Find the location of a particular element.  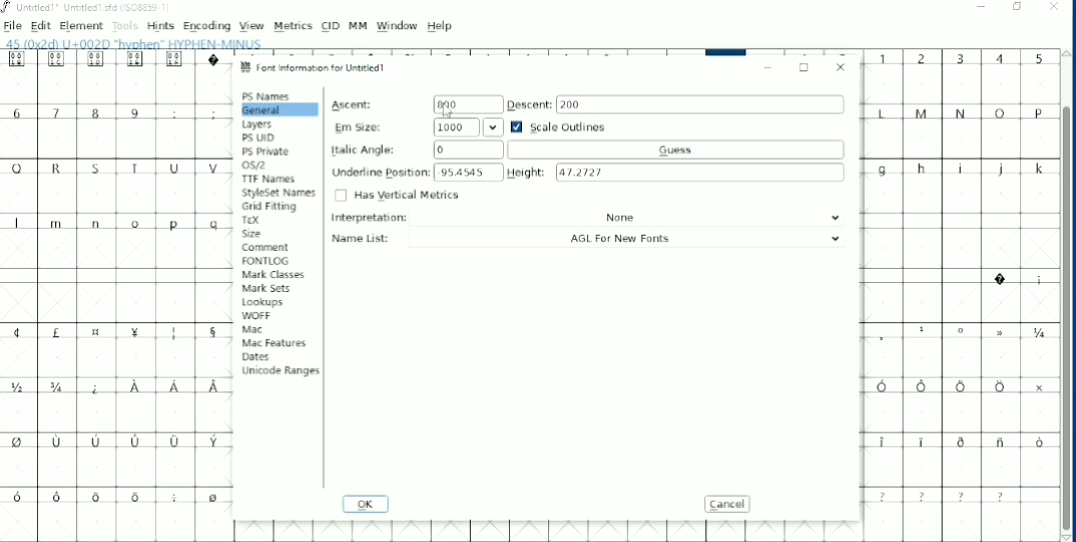

Ascent is located at coordinates (416, 105).